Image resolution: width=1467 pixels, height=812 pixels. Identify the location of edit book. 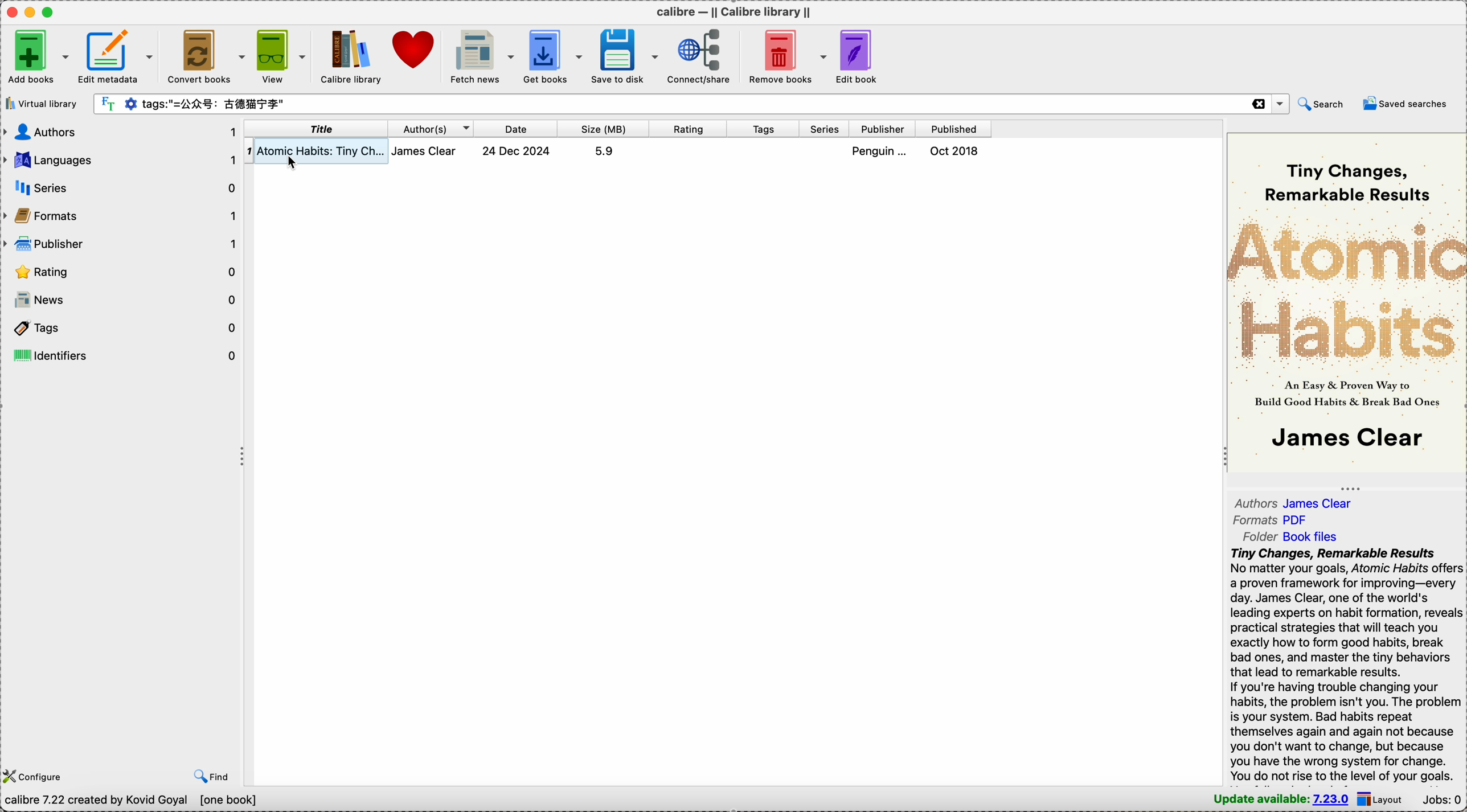
(858, 58).